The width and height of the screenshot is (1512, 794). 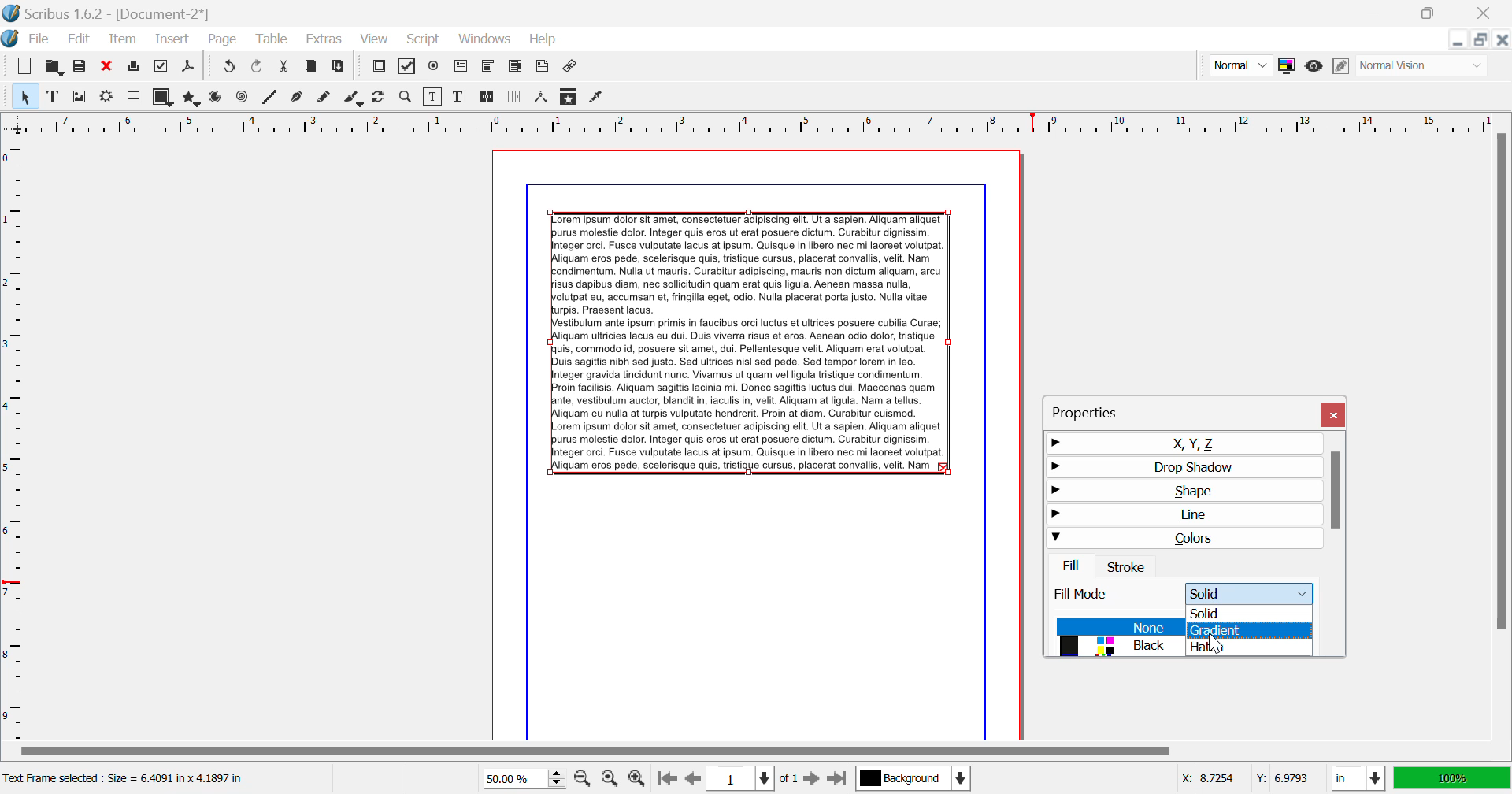 What do you see at coordinates (354, 99) in the screenshot?
I see `Calligraphic Line` at bounding box center [354, 99].